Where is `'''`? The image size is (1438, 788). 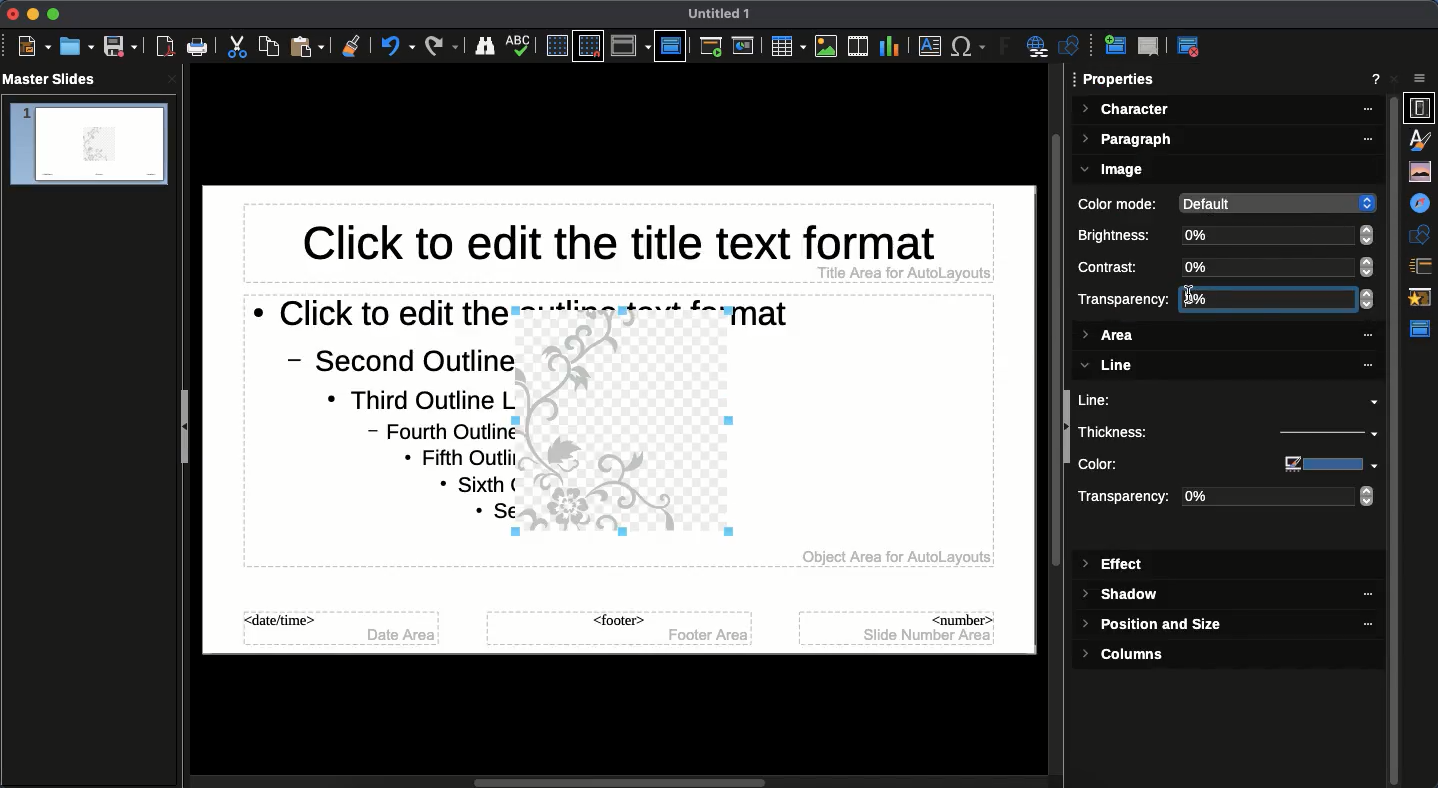
''' is located at coordinates (1356, 625).